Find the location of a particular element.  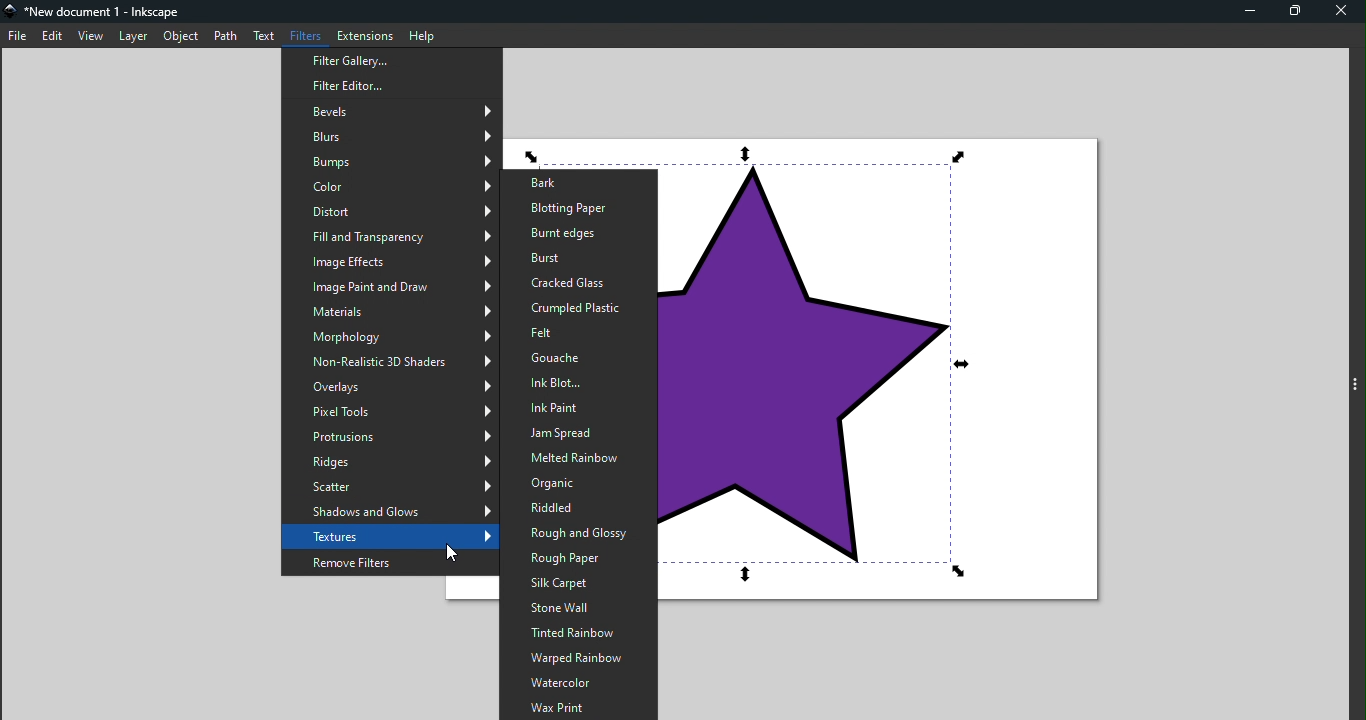

Stone wall is located at coordinates (575, 608).